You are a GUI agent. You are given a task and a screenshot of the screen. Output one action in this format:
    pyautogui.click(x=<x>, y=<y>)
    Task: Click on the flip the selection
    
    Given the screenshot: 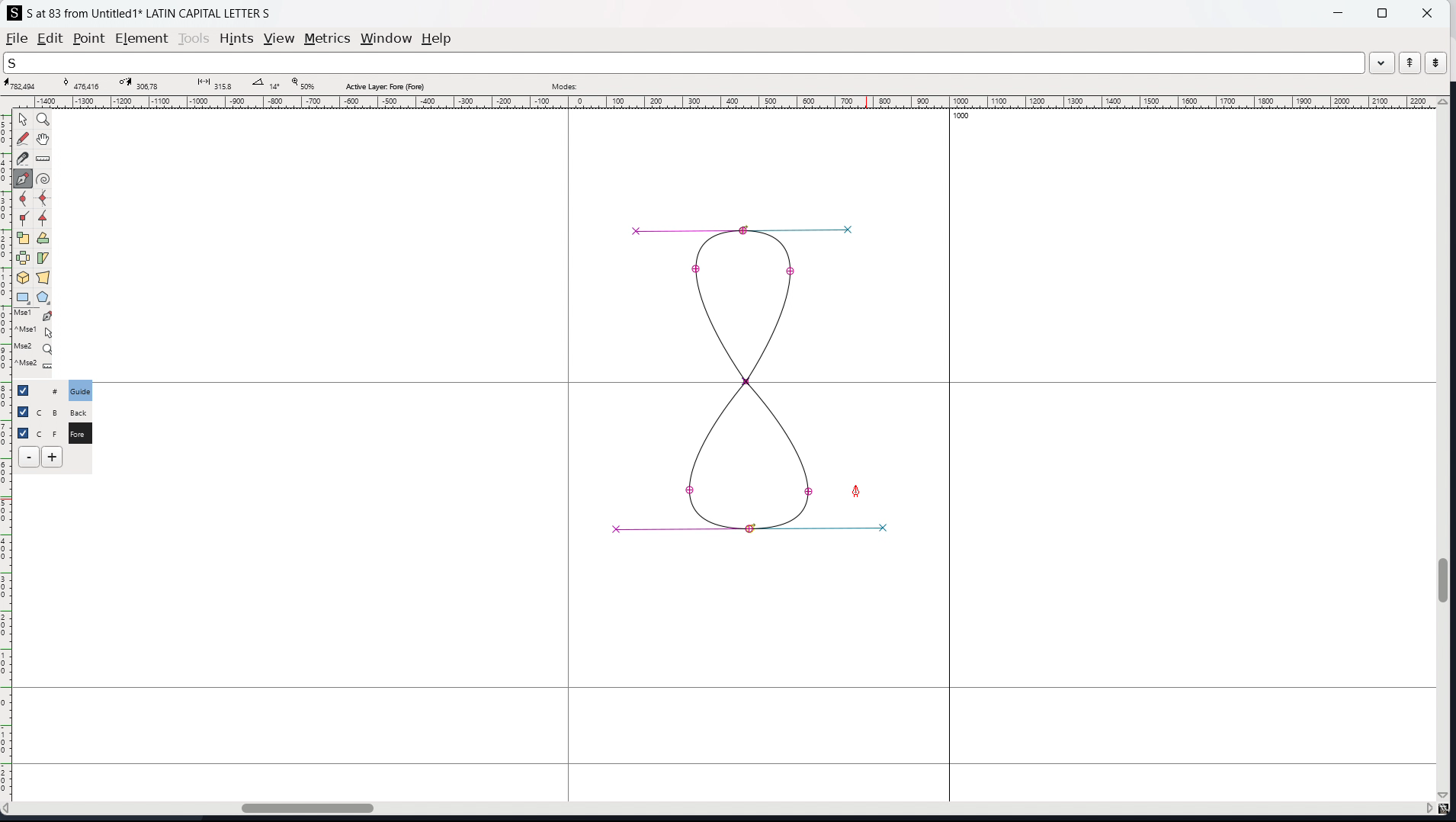 What is the action you would take?
    pyautogui.click(x=23, y=258)
    